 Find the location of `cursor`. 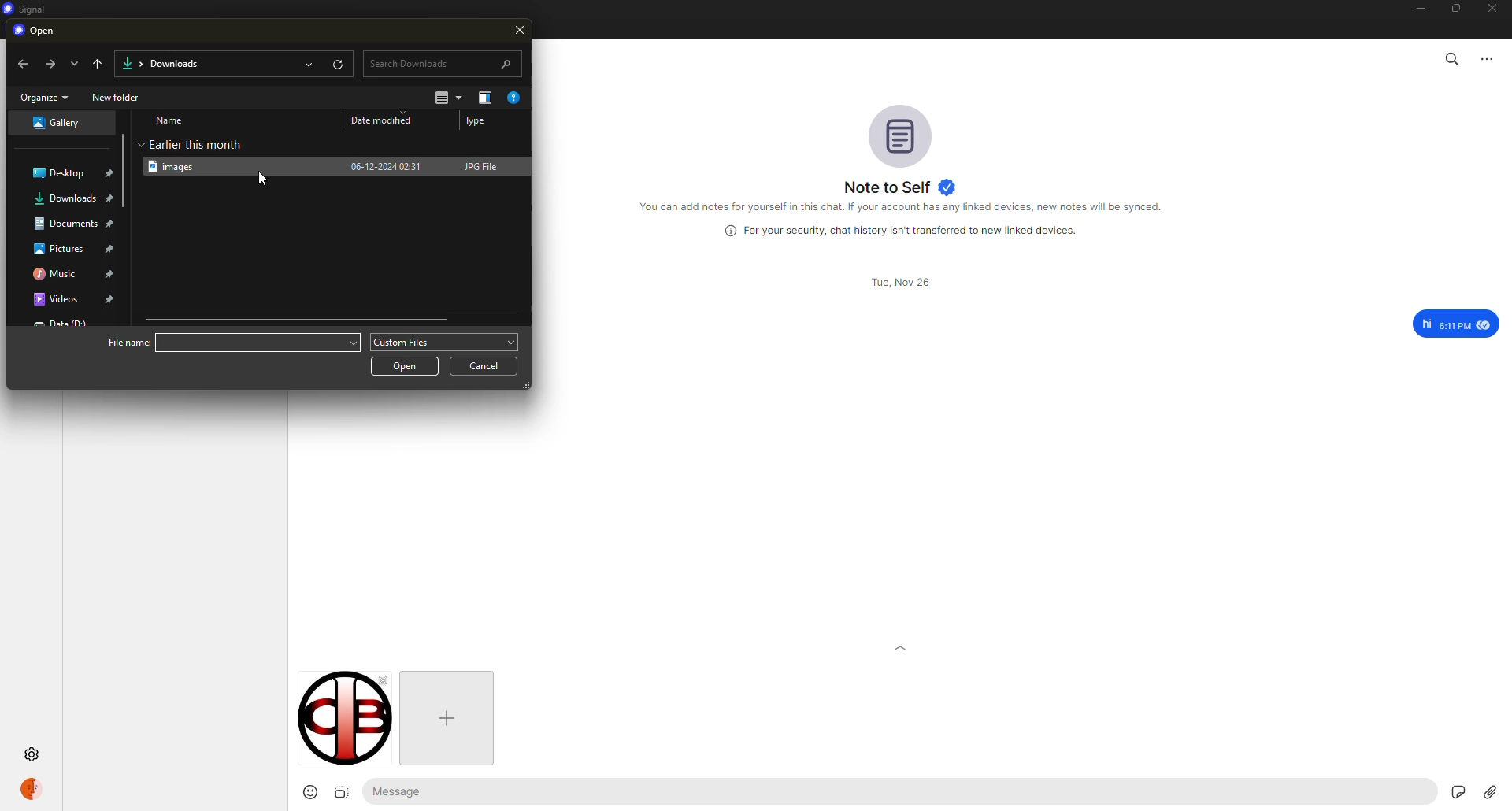

cursor is located at coordinates (261, 176).